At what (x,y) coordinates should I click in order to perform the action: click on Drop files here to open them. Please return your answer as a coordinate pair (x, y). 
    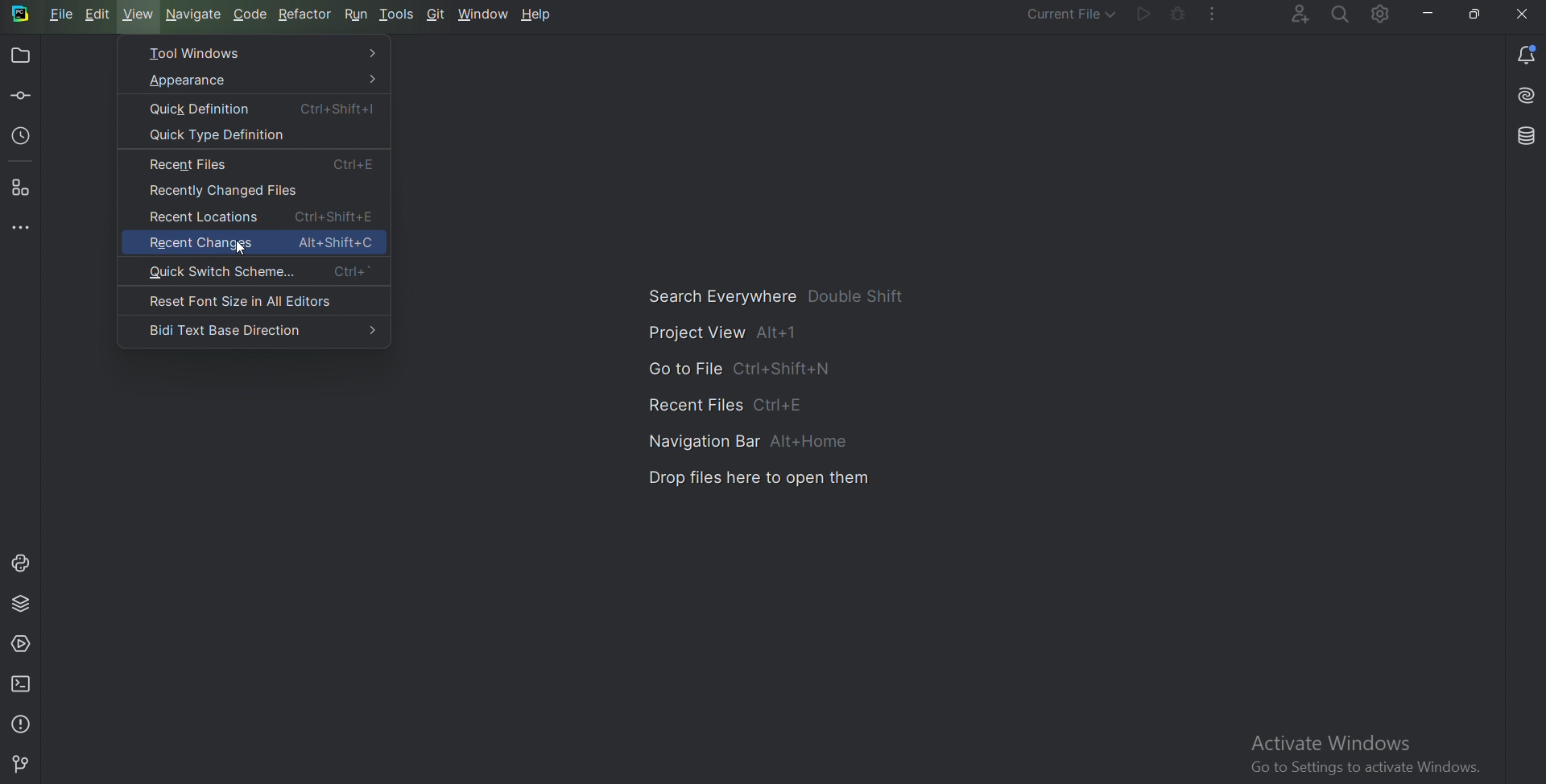
    Looking at the image, I should click on (760, 476).